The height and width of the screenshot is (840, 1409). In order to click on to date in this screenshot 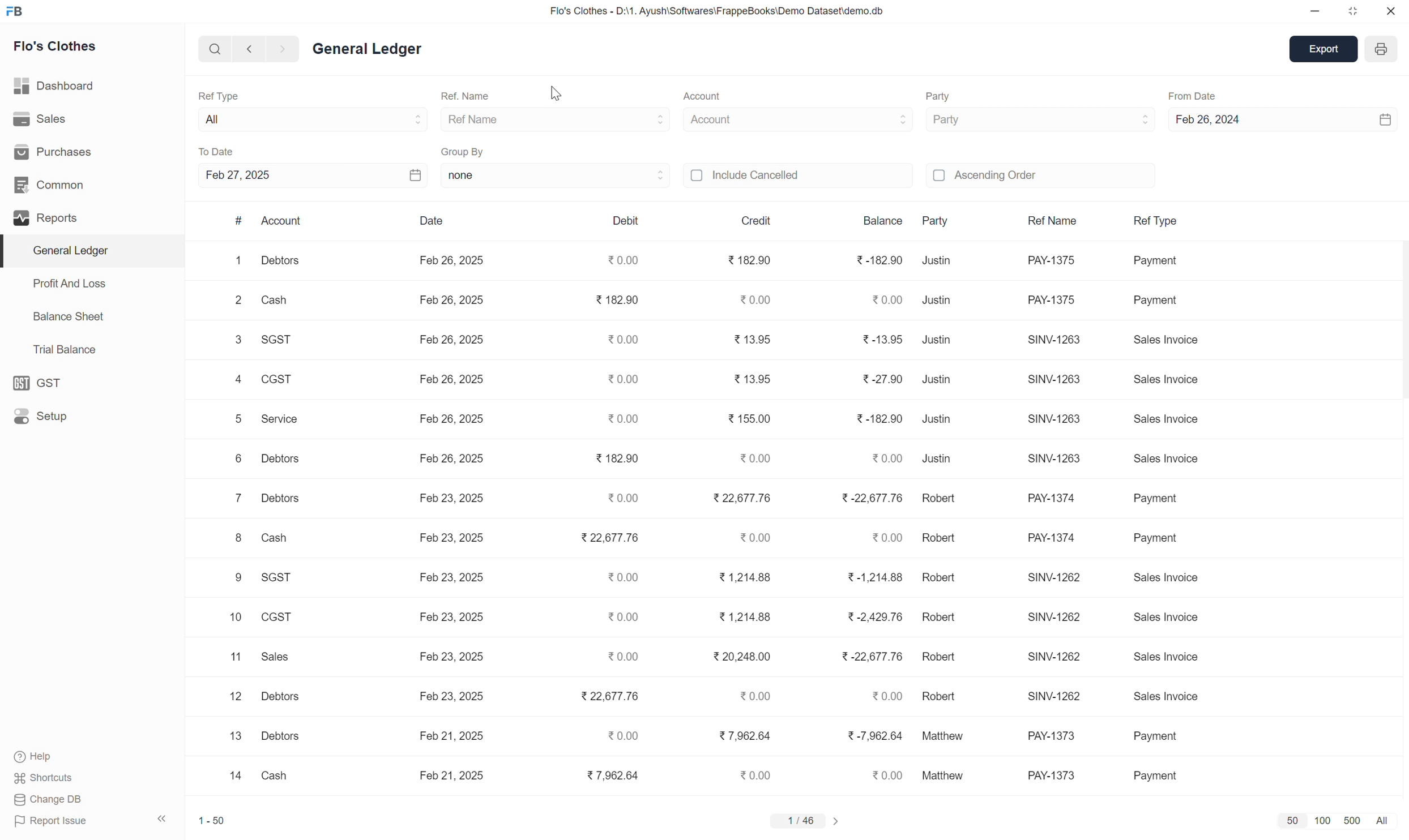, I will do `click(297, 151)`.